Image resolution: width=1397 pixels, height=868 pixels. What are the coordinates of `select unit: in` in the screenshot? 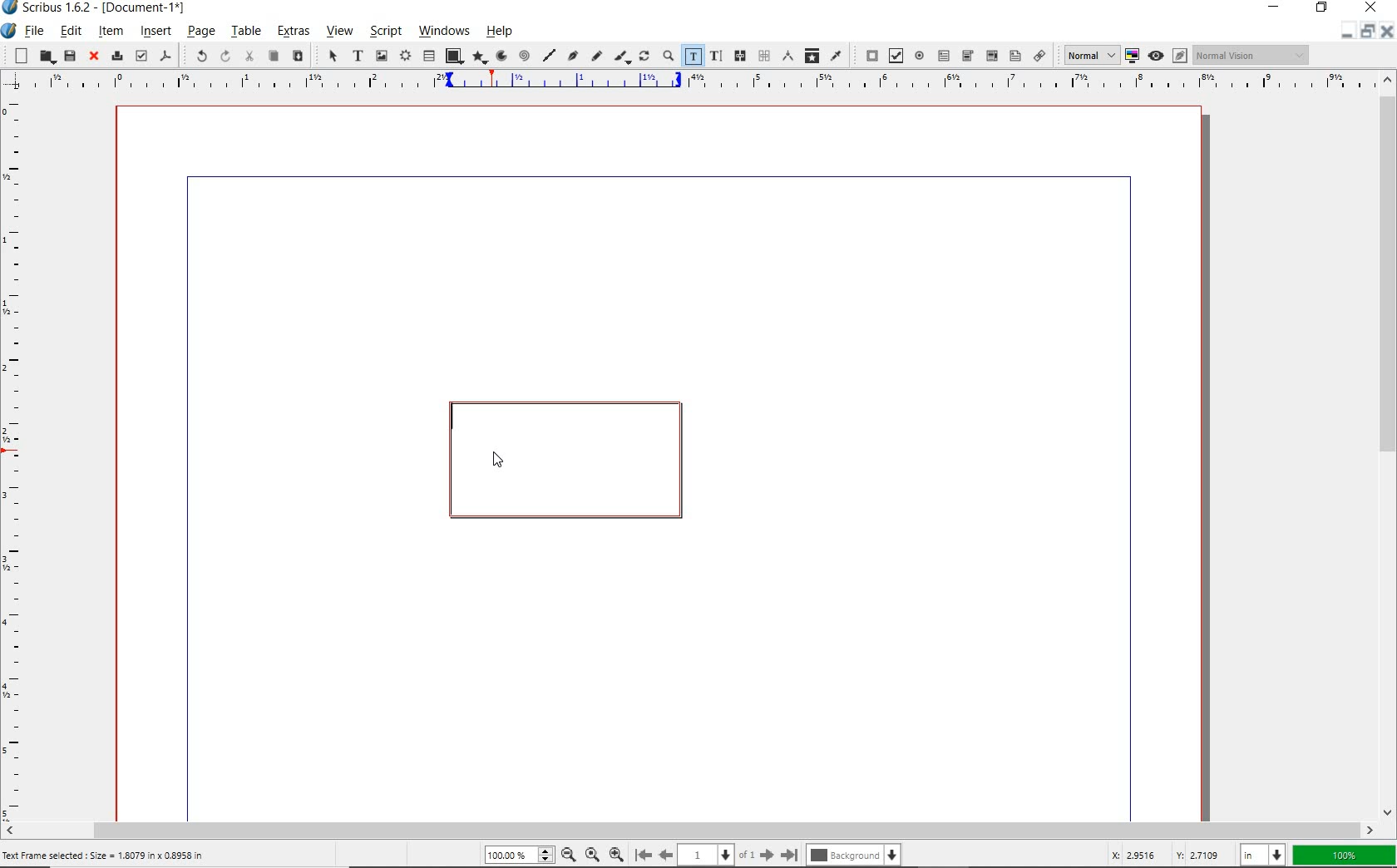 It's located at (1263, 856).